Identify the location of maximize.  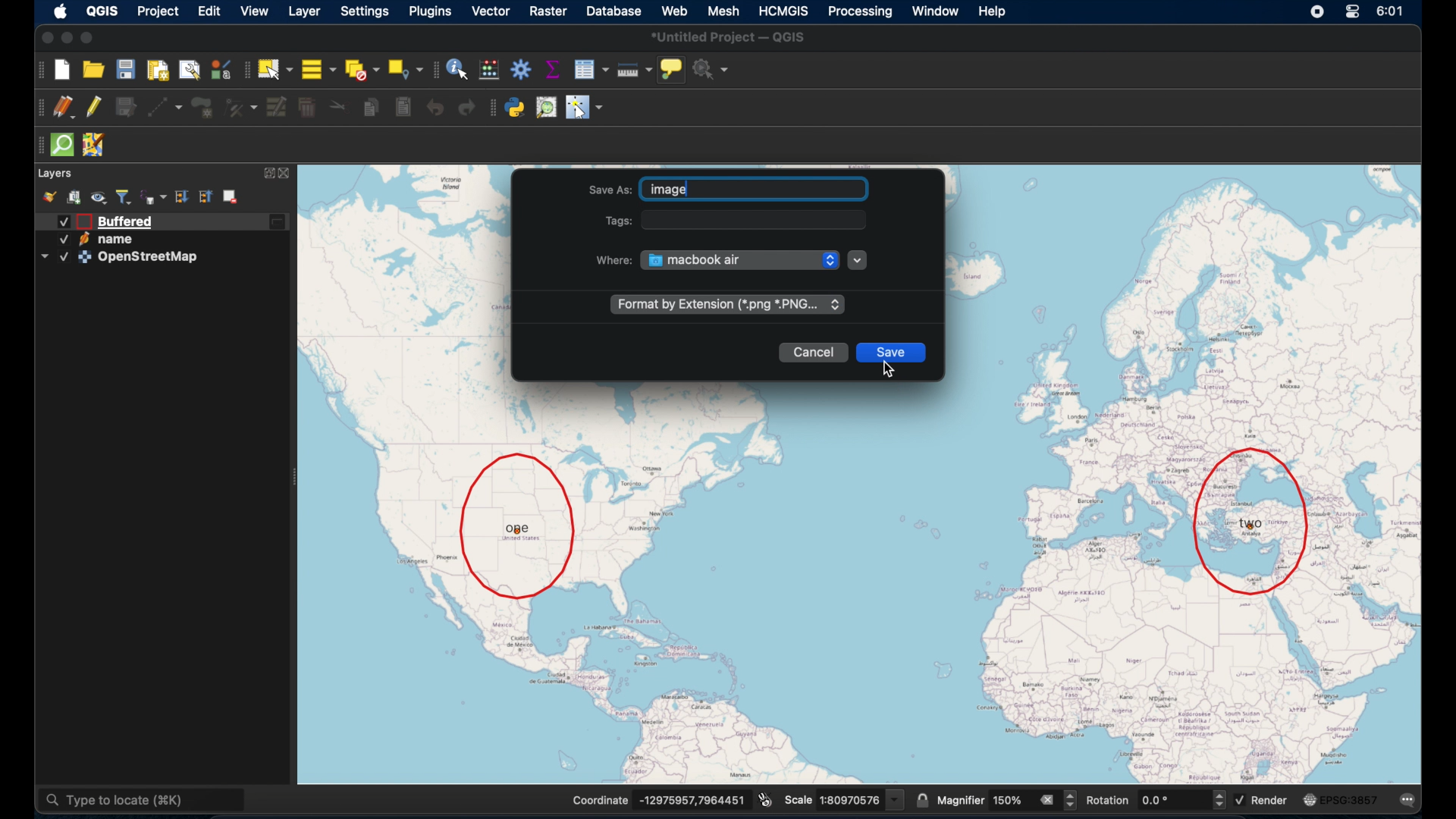
(89, 38).